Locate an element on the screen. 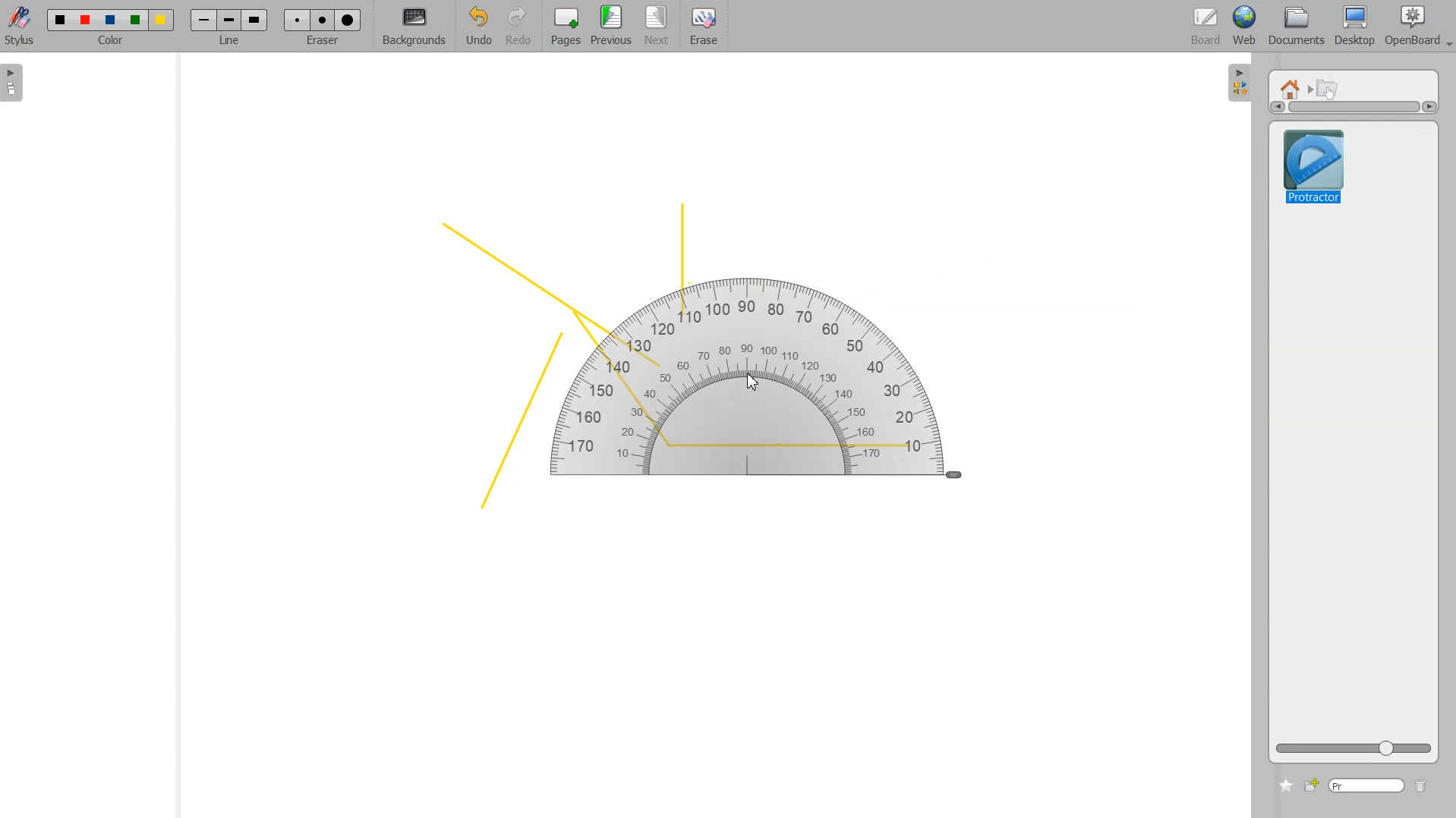 This screenshot has width=1456, height=818. Home is located at coordinates (1293, 88).